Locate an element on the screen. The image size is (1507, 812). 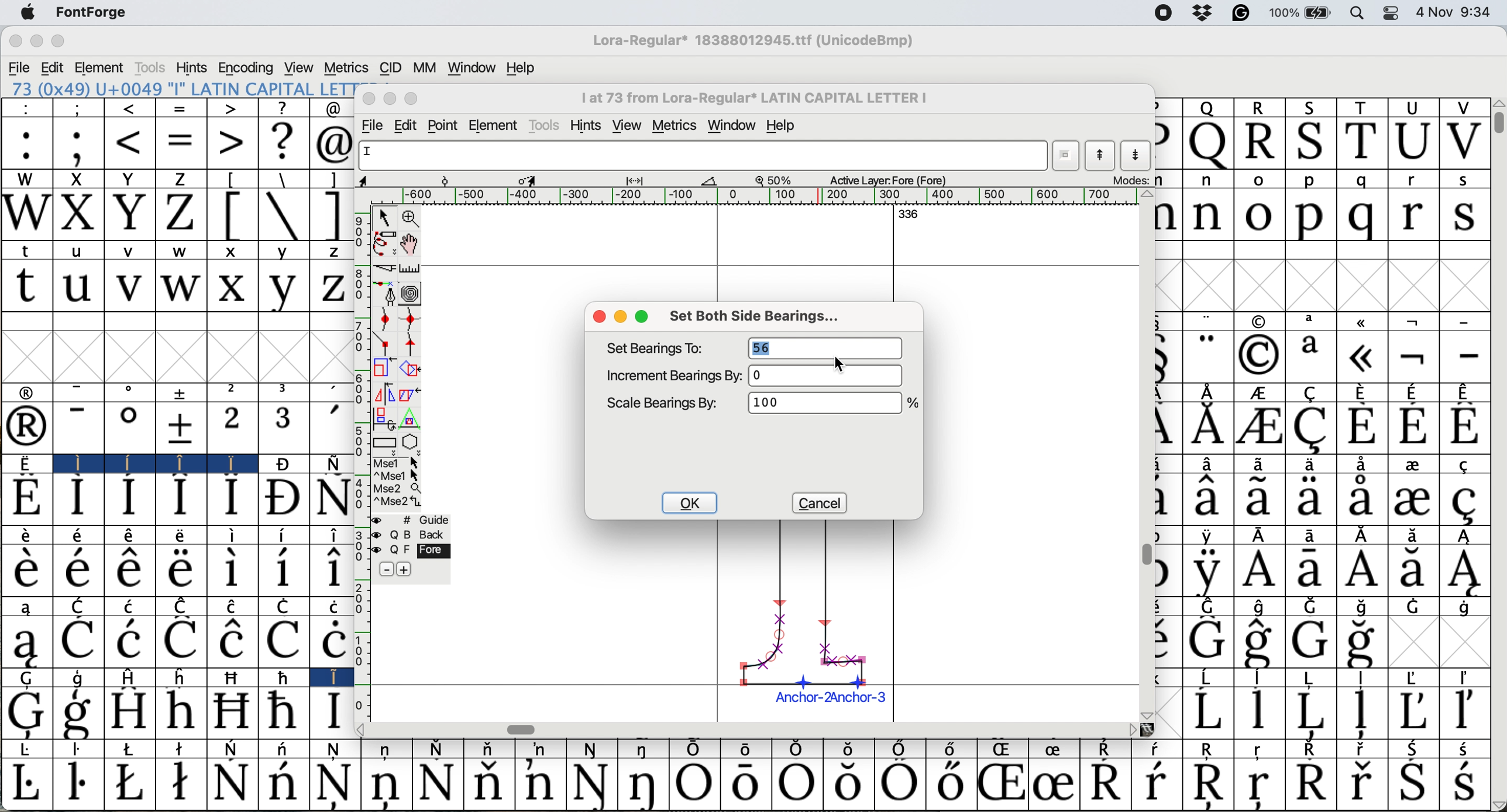
0 is located at coordinates (830, 376).